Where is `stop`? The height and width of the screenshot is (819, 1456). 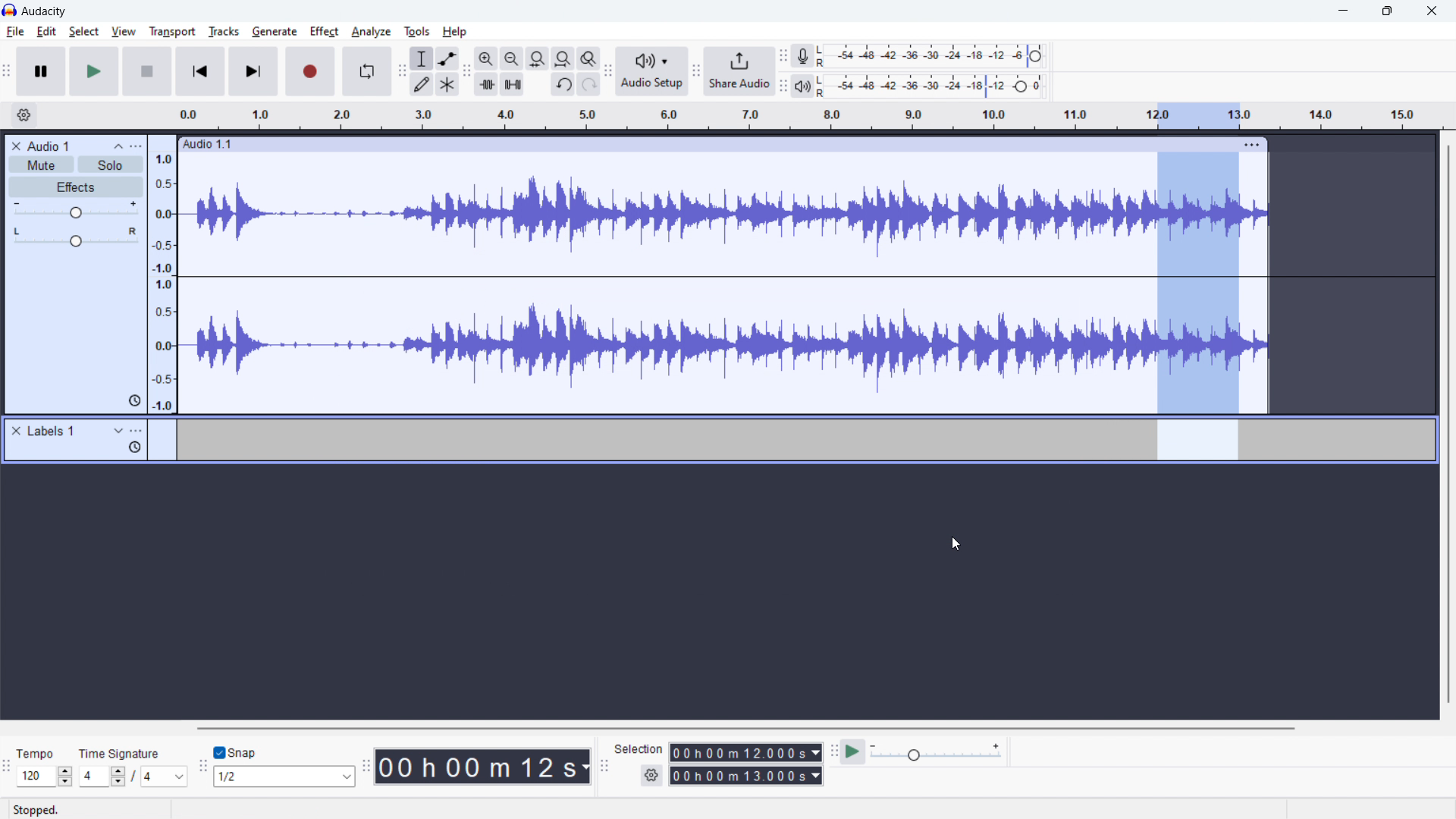 stop is located at coordinates (147, 71).